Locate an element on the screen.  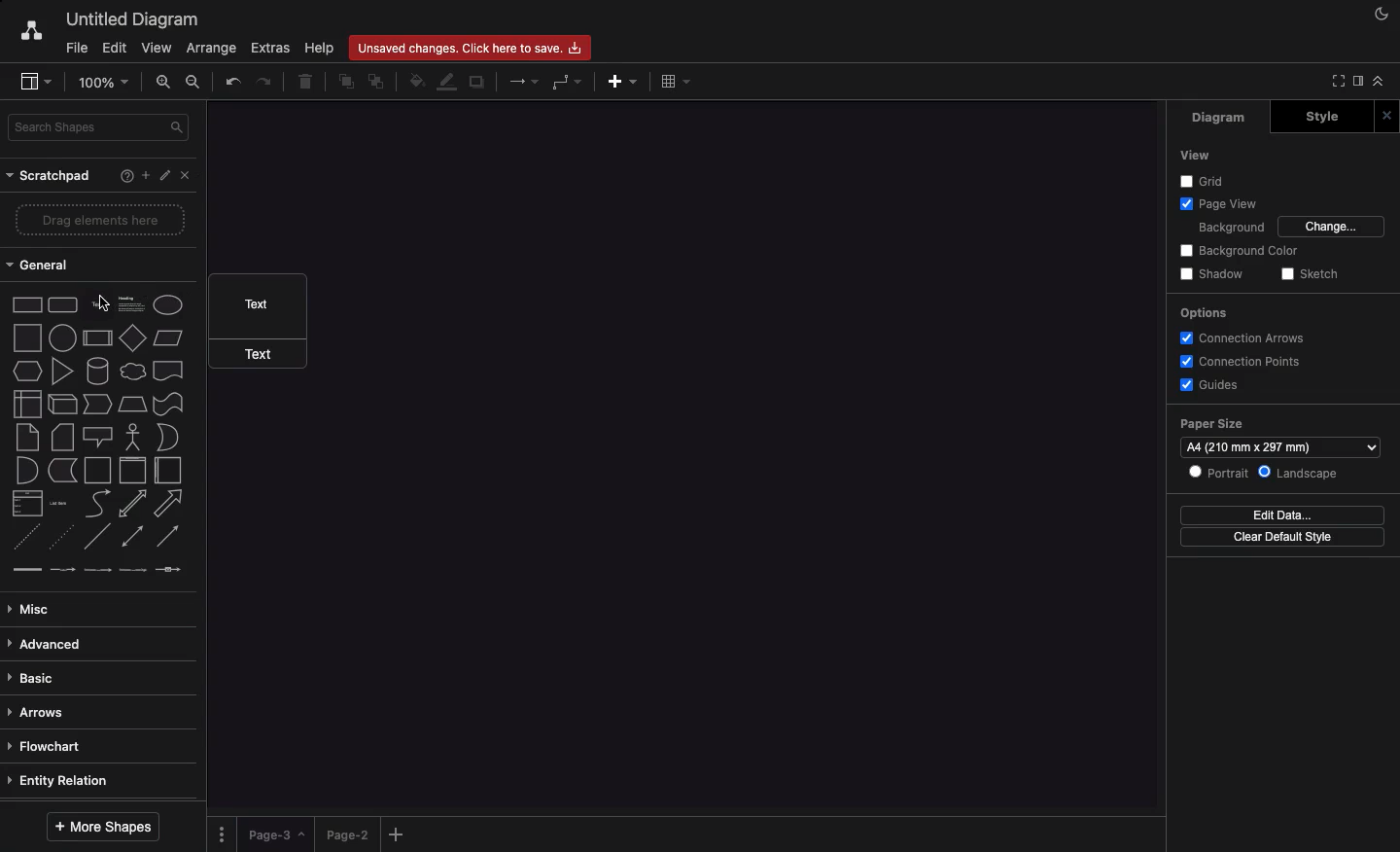
list is located at coordinates (28, 503).